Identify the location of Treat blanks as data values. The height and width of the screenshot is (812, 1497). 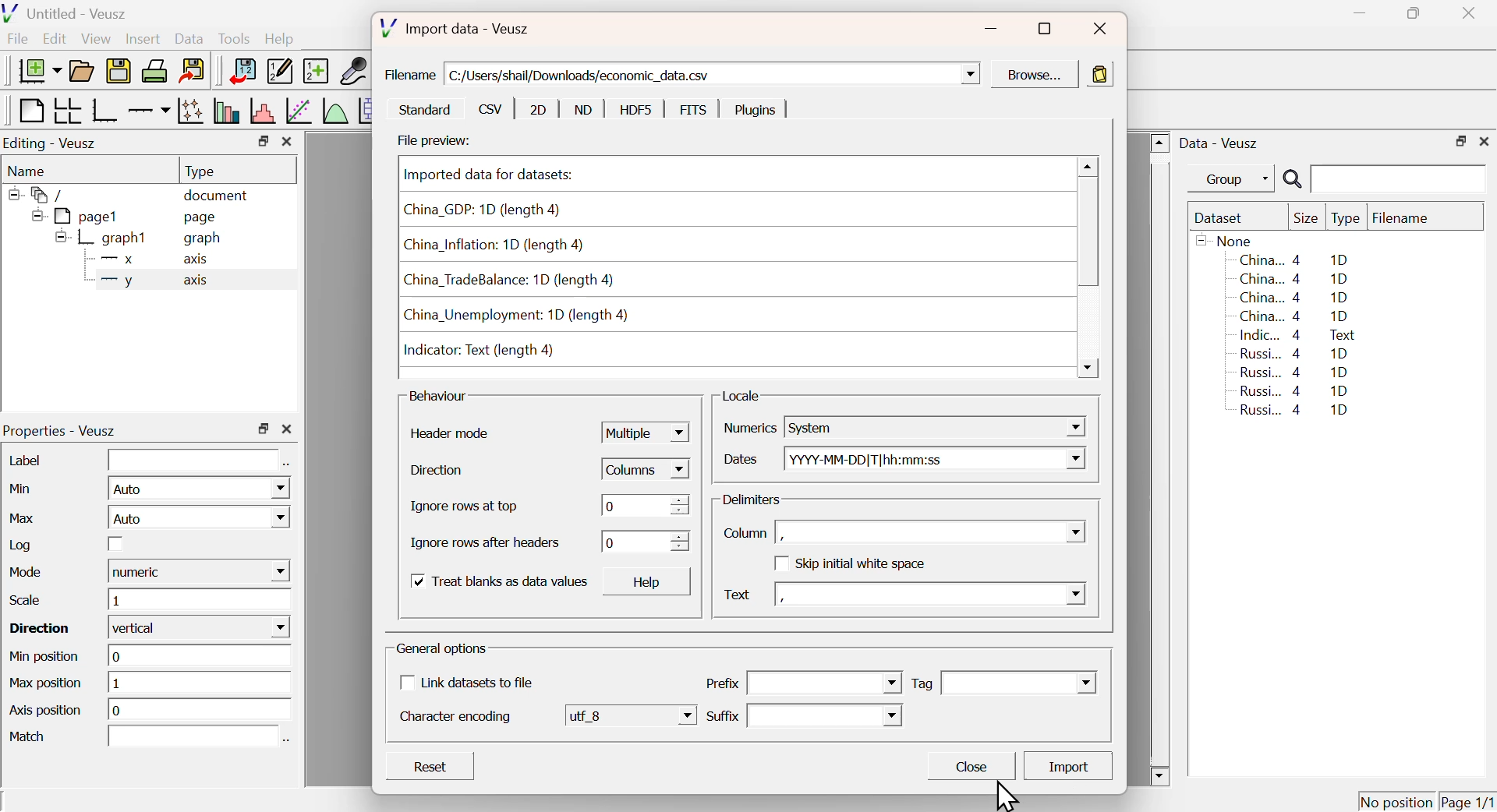
(511, 582).